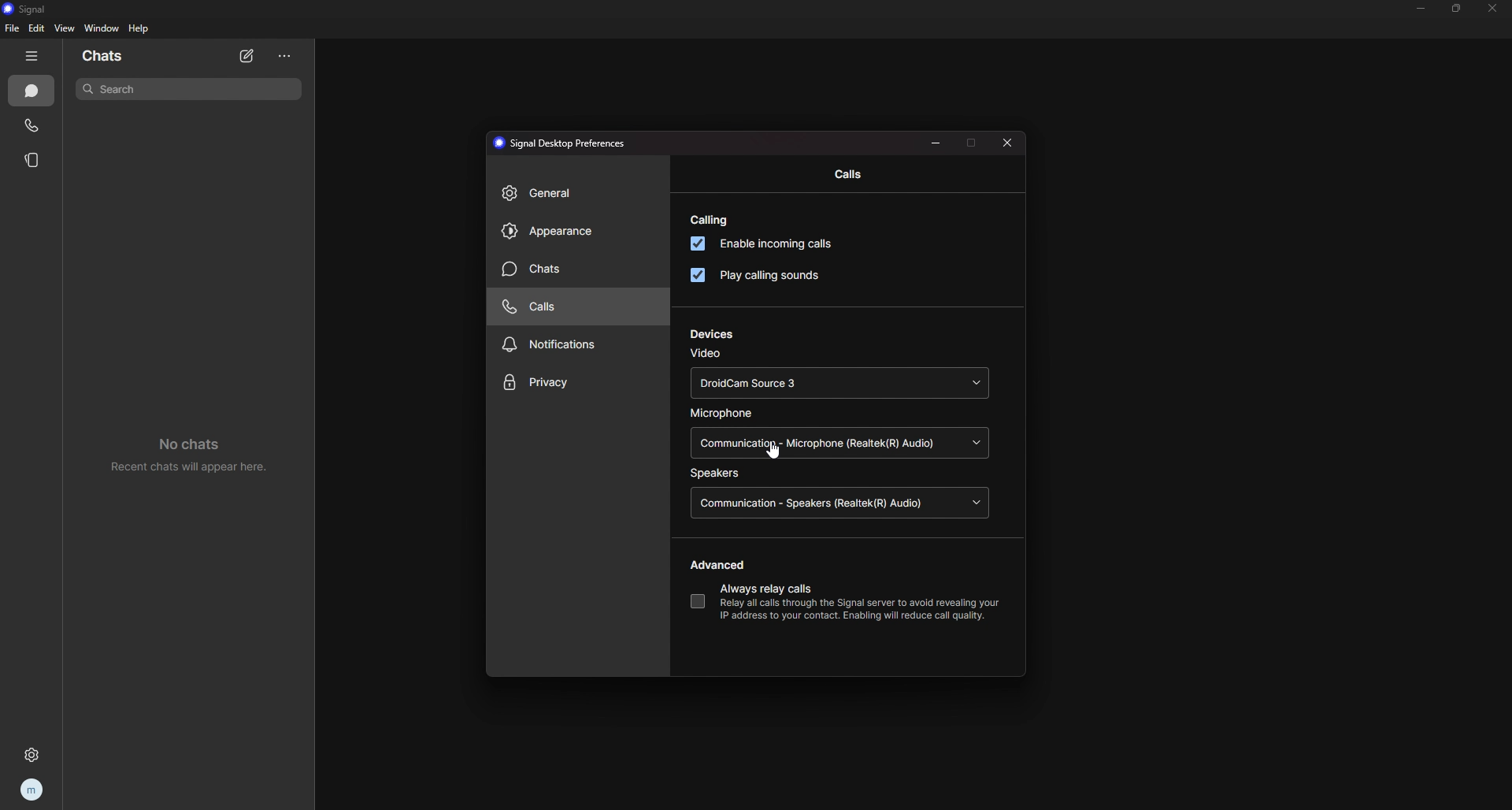  I want to click on search, so click(190, 89).